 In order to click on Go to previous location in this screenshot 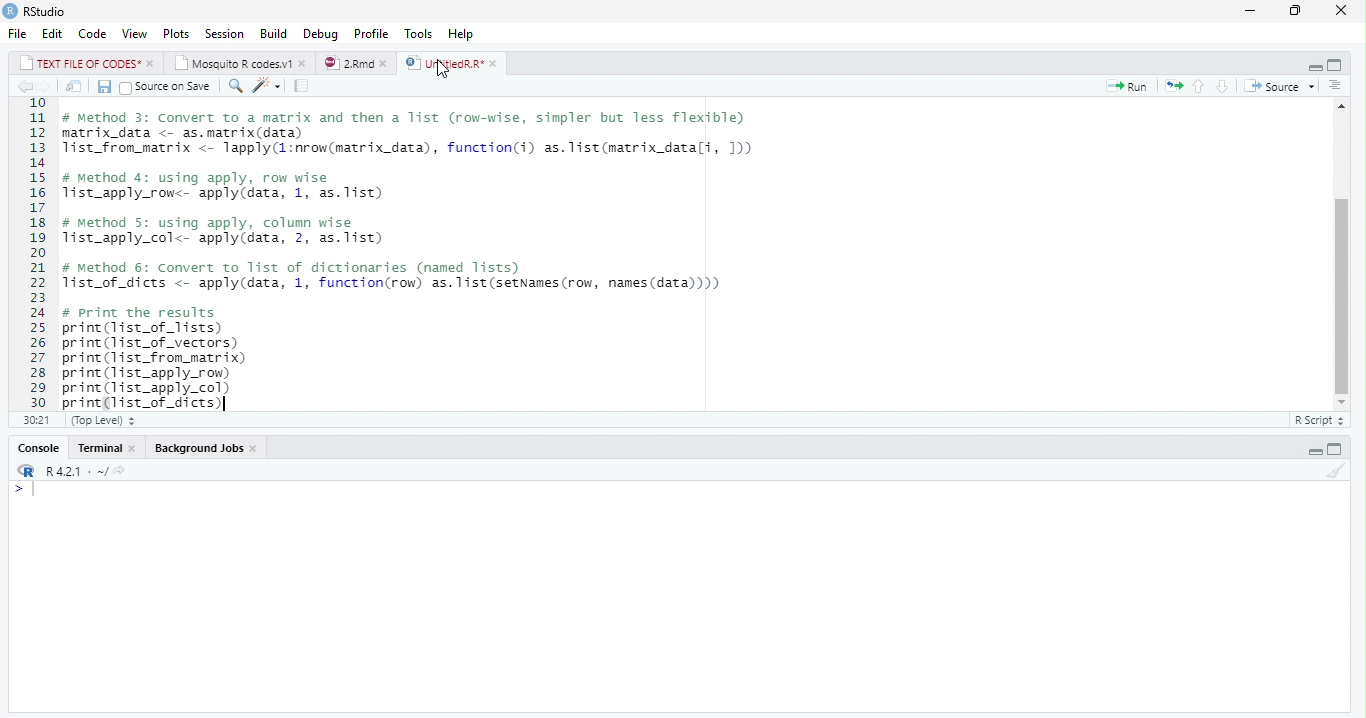, I will do `click(23, 88)`.